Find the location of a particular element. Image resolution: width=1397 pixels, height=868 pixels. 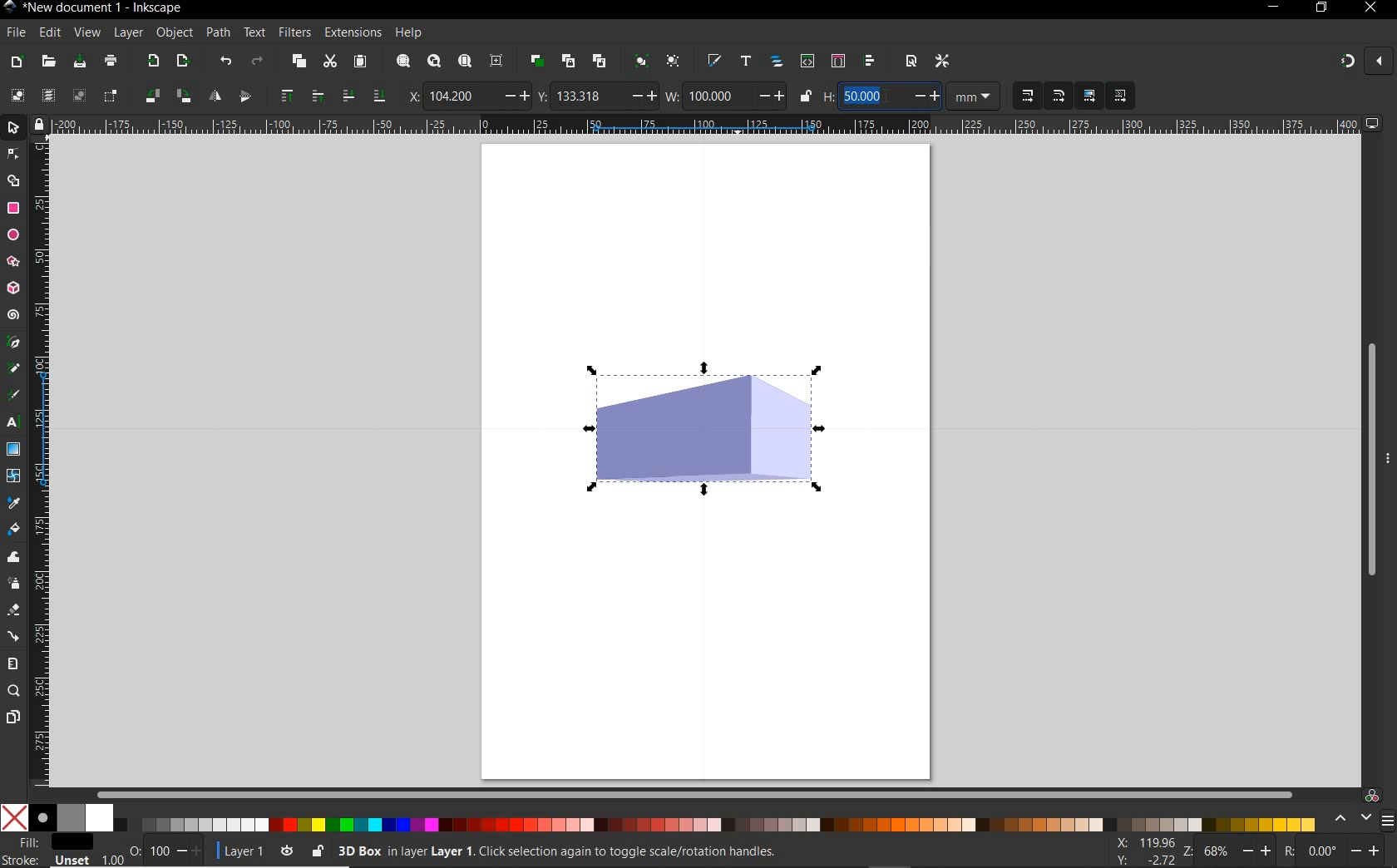

group is located at coordinates (639, 60).